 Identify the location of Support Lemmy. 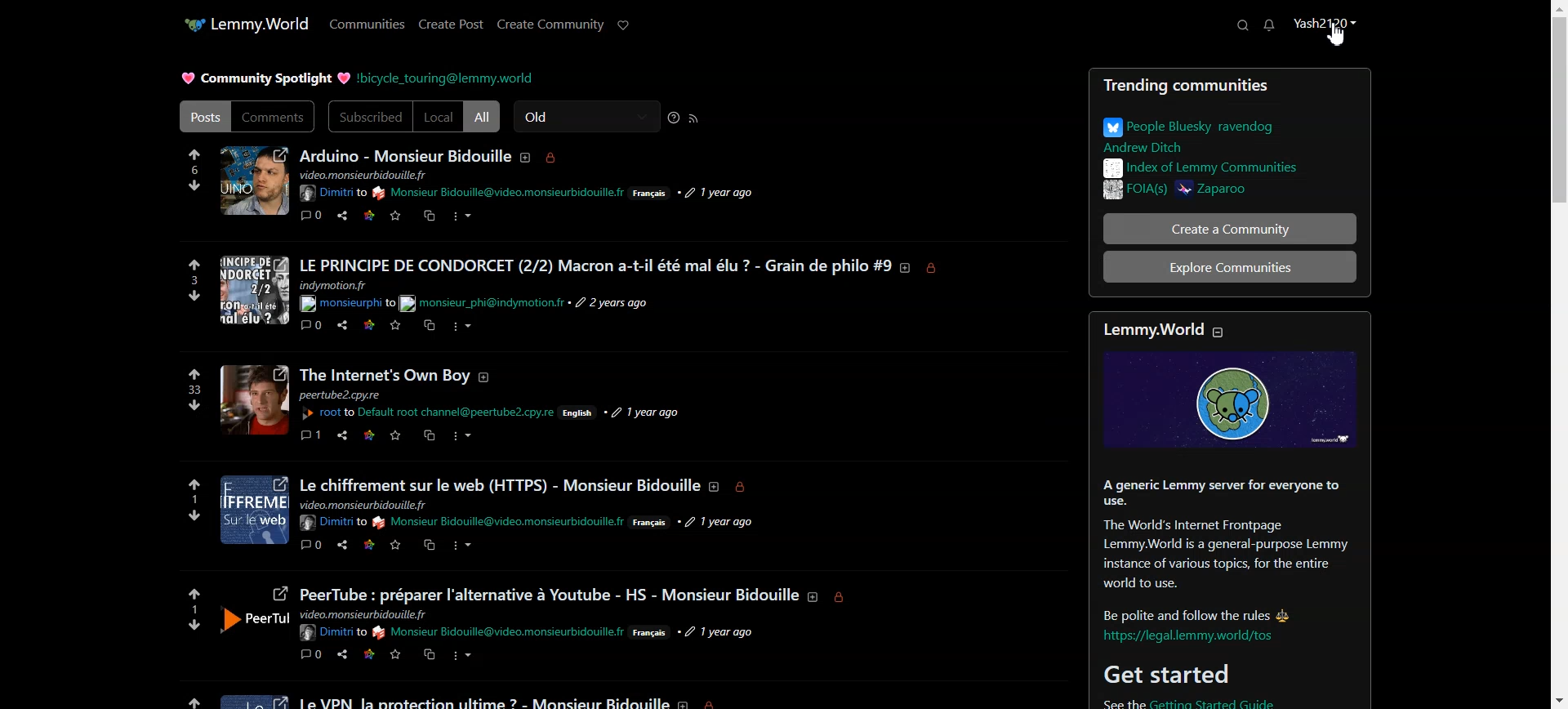
(624, 25).